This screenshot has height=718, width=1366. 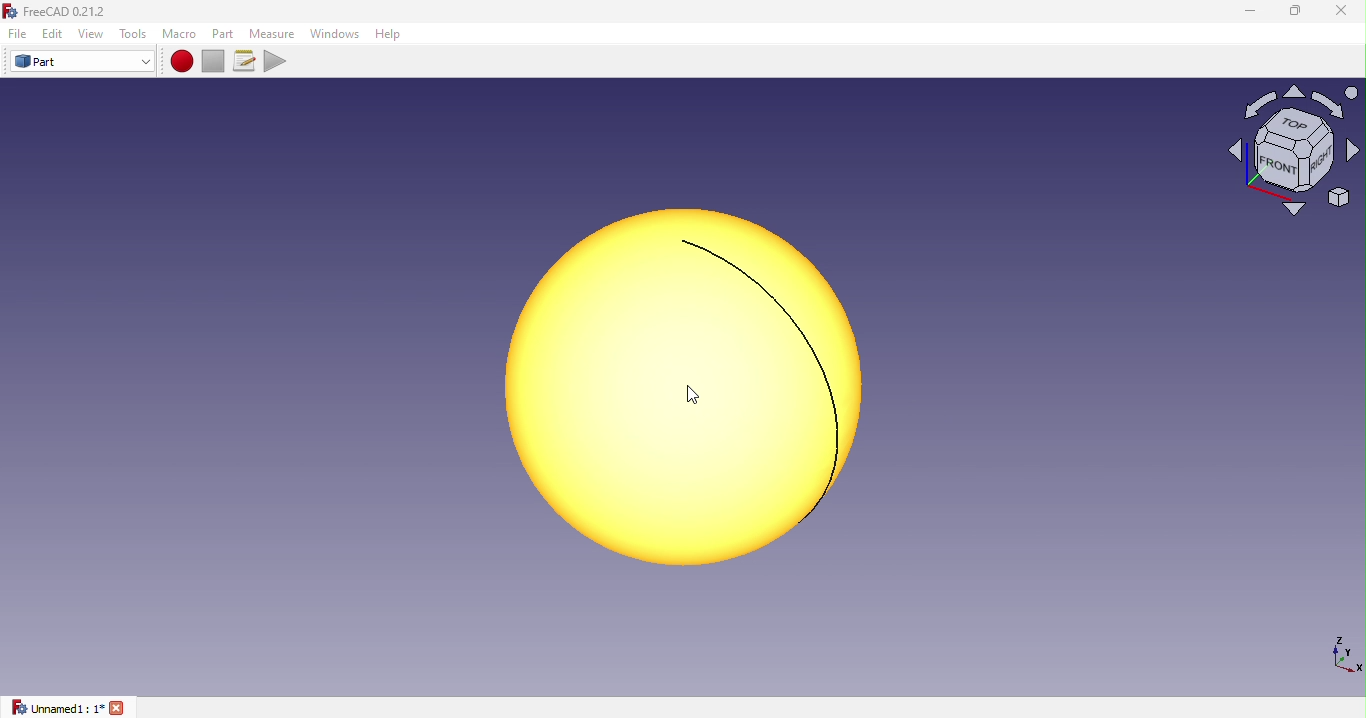 What do you see at coordinates (693, 395) in the screenshot?
I see `cursor` at bounding box center [693, 395].